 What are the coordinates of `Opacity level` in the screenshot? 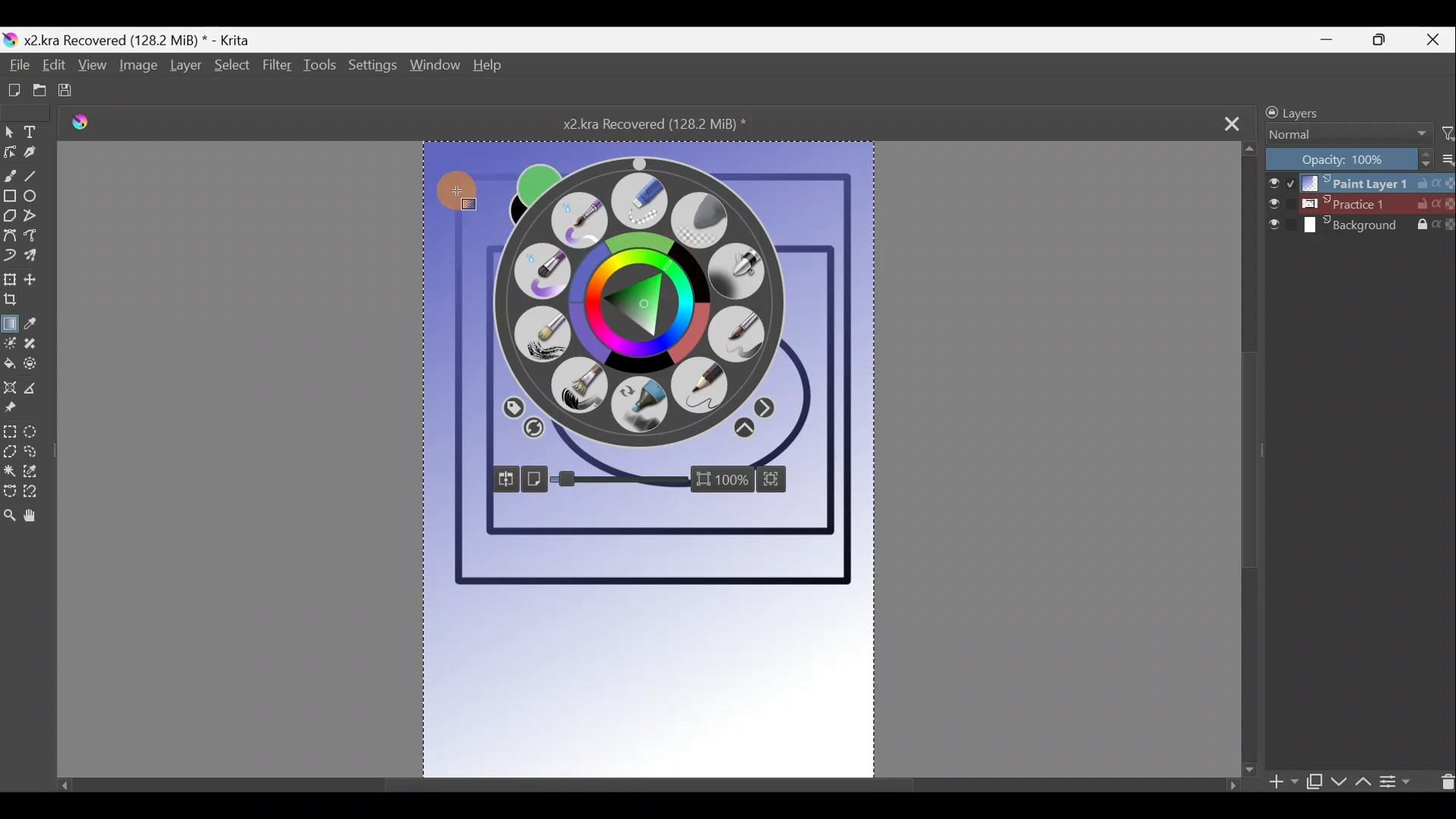 It's located at (1359, 158).